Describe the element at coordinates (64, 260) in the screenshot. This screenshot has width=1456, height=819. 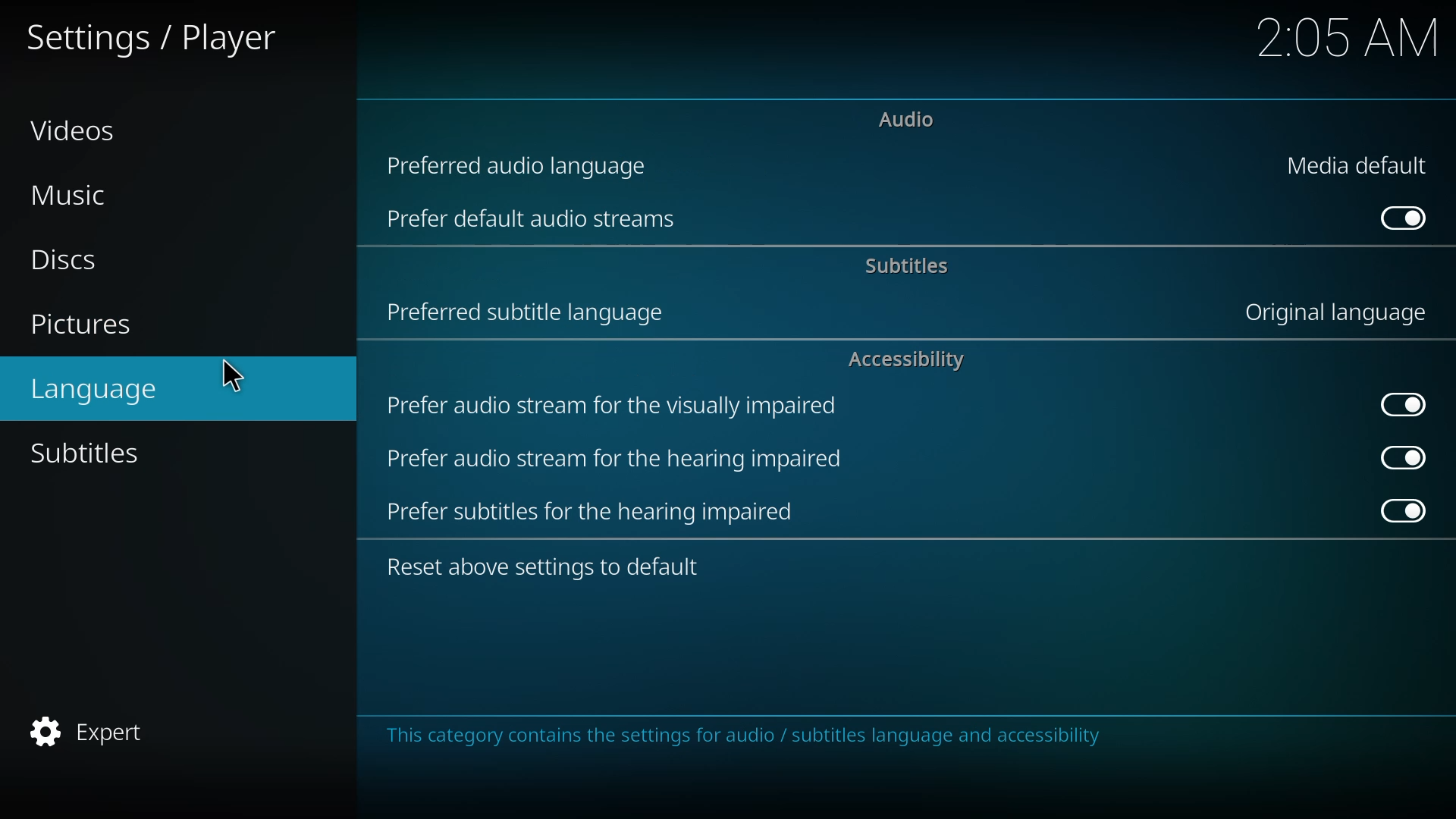
I see `discs` at that location.